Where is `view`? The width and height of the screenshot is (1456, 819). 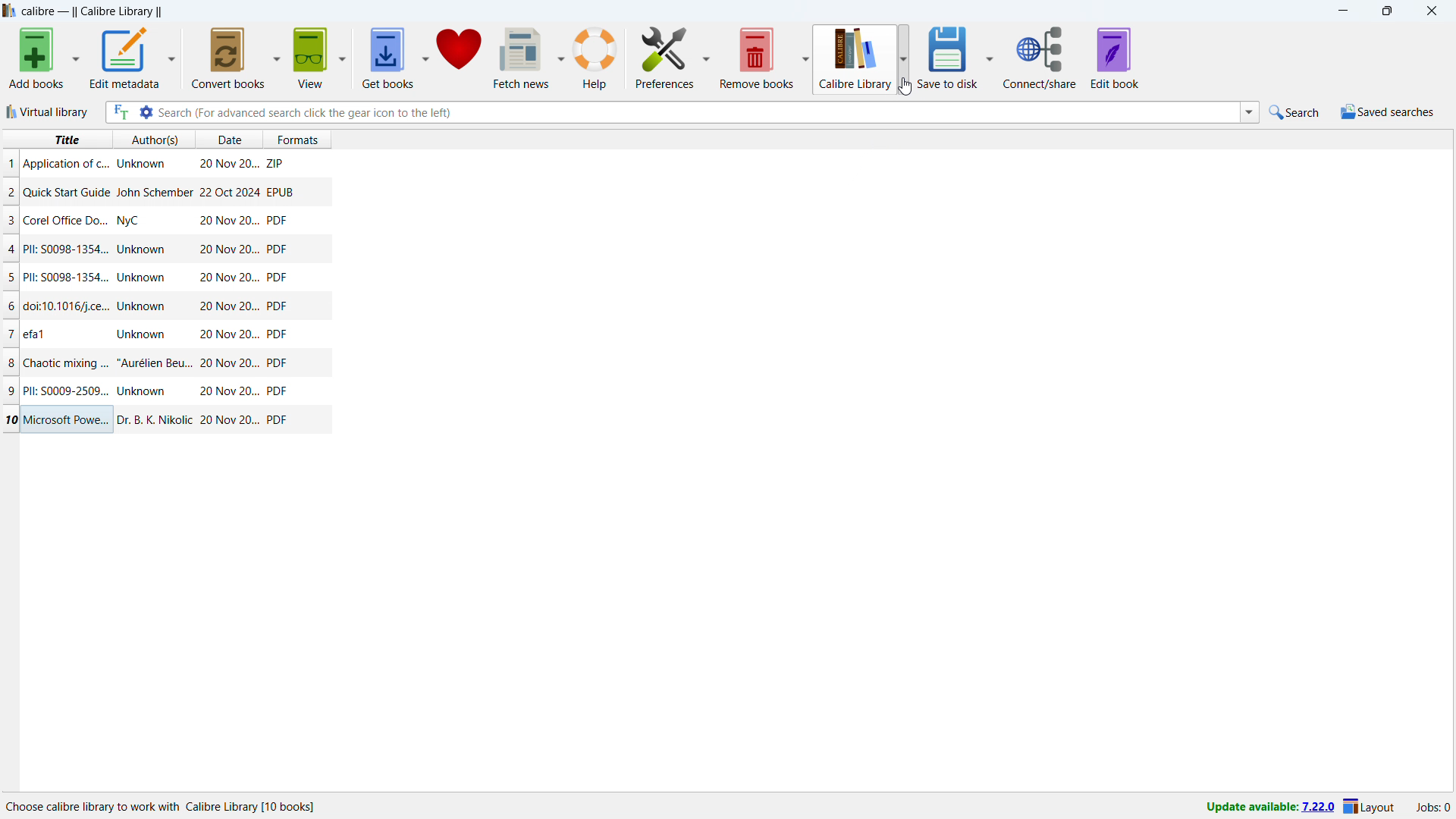
view is located at coordinates (310, 58).